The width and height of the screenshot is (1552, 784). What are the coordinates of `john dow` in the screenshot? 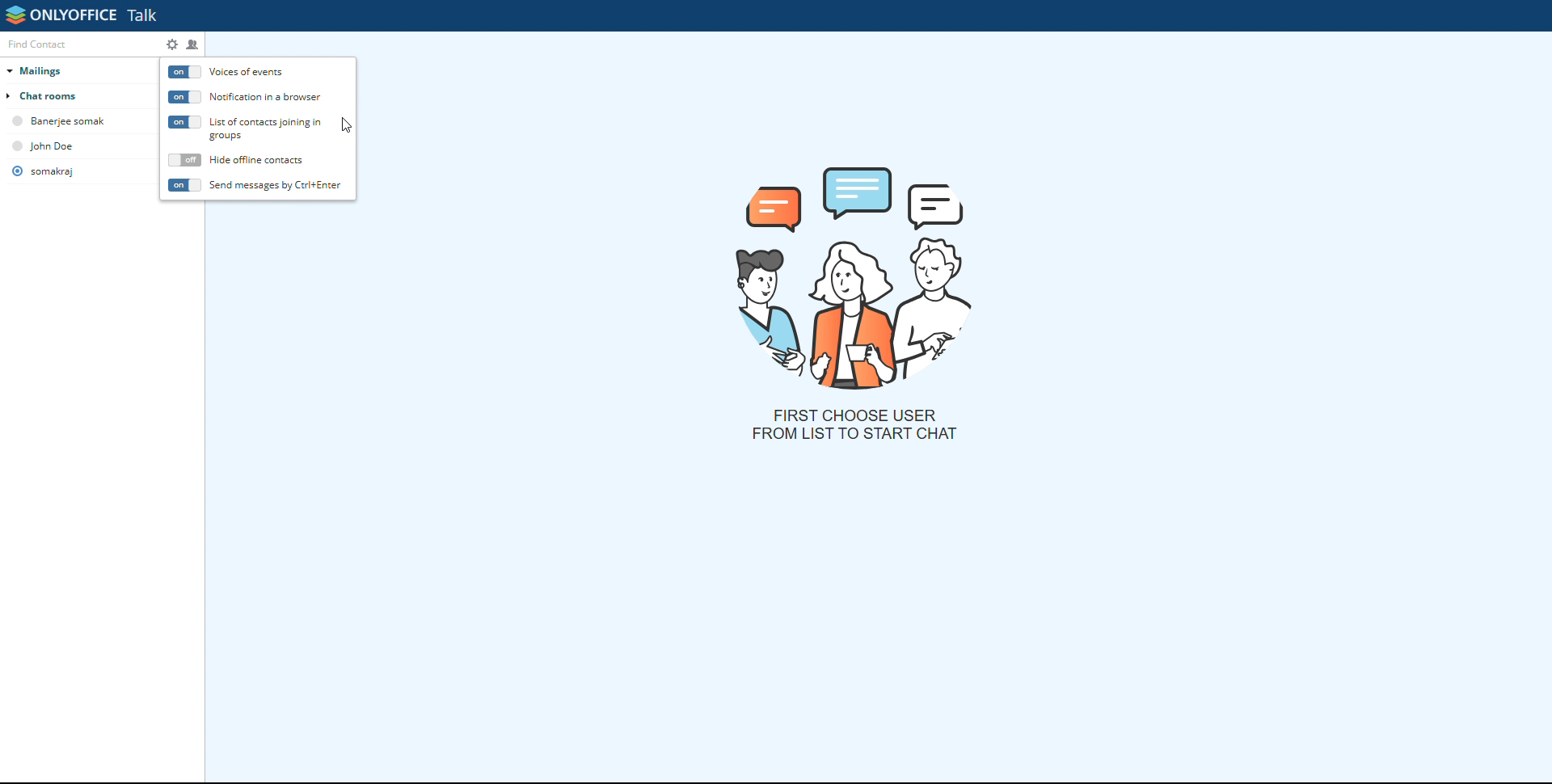 It's located at (54, 145).